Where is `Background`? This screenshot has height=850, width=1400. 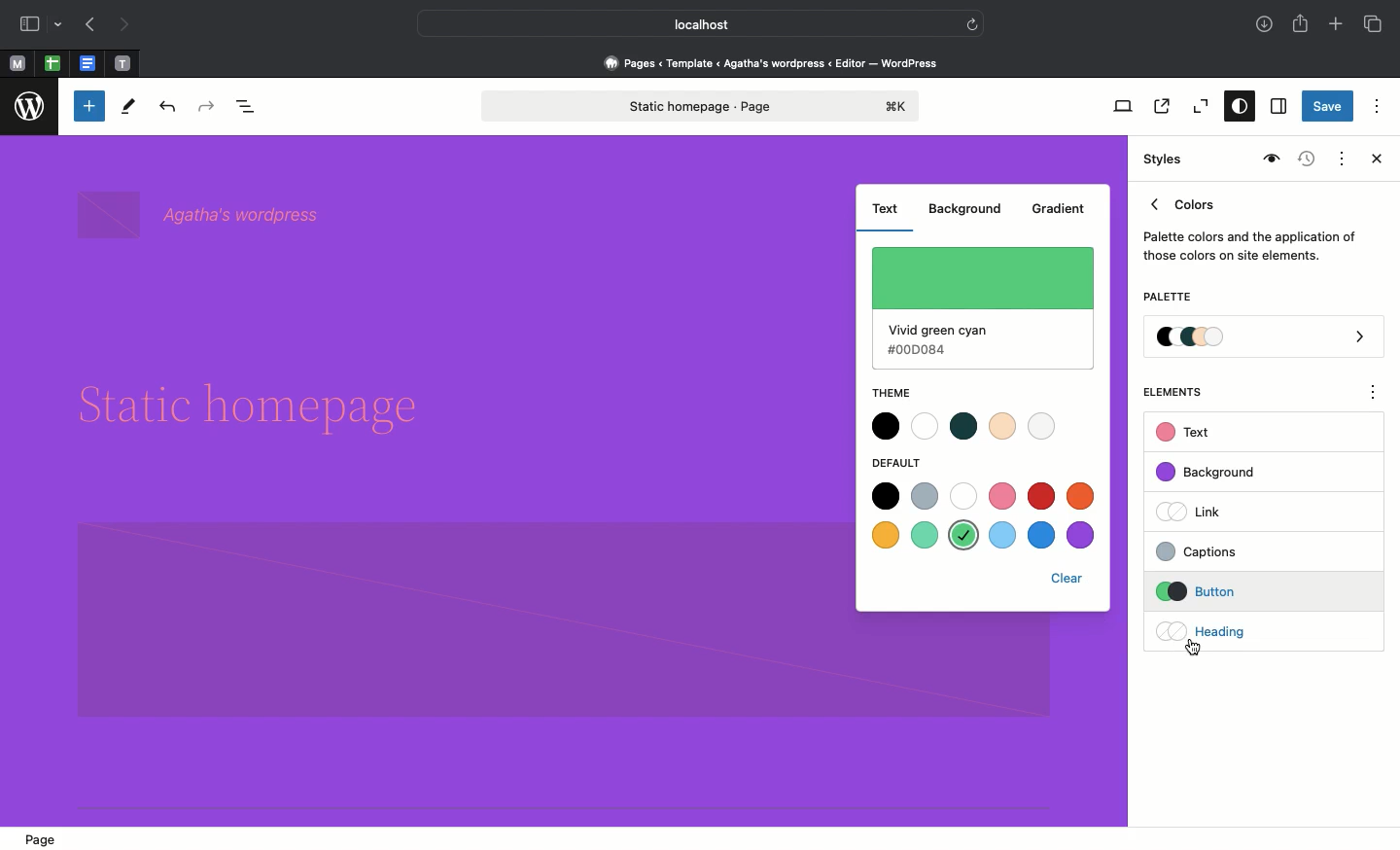
Background is located at coordinates (1215, 473).